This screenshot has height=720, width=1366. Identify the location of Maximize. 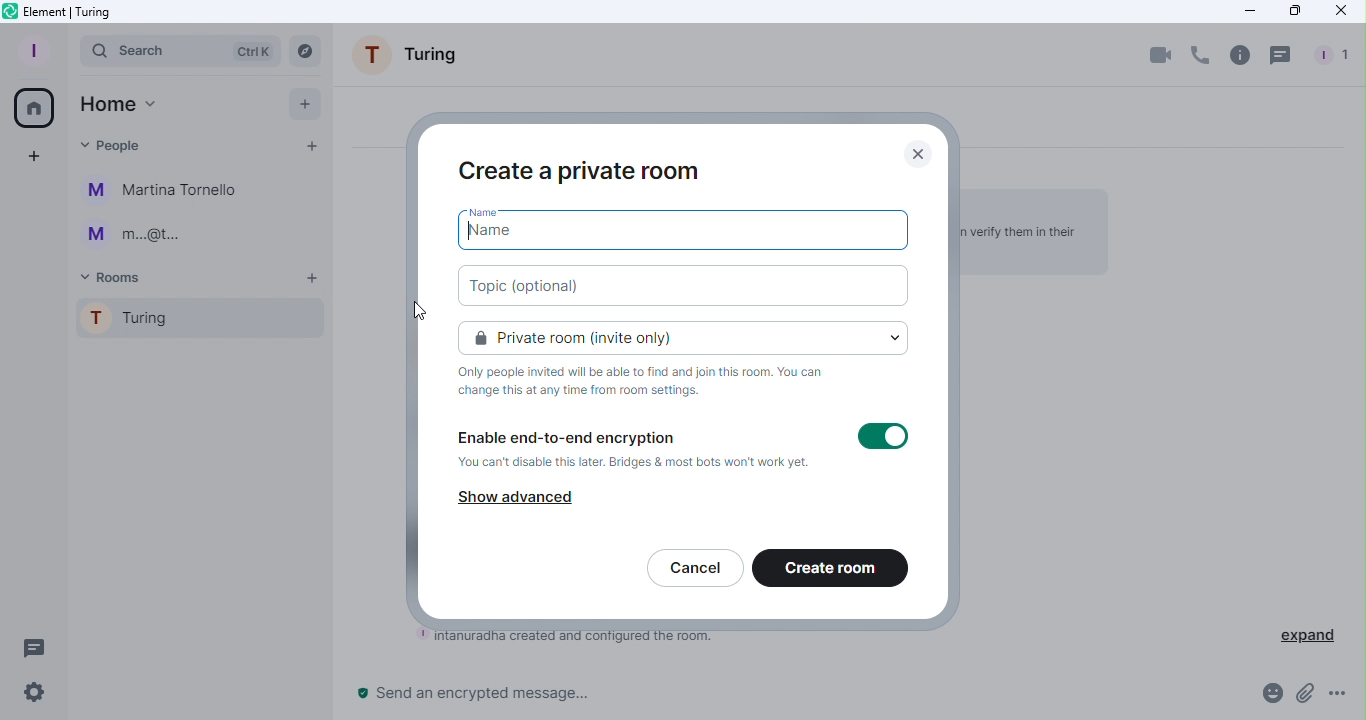
(1293, 11).